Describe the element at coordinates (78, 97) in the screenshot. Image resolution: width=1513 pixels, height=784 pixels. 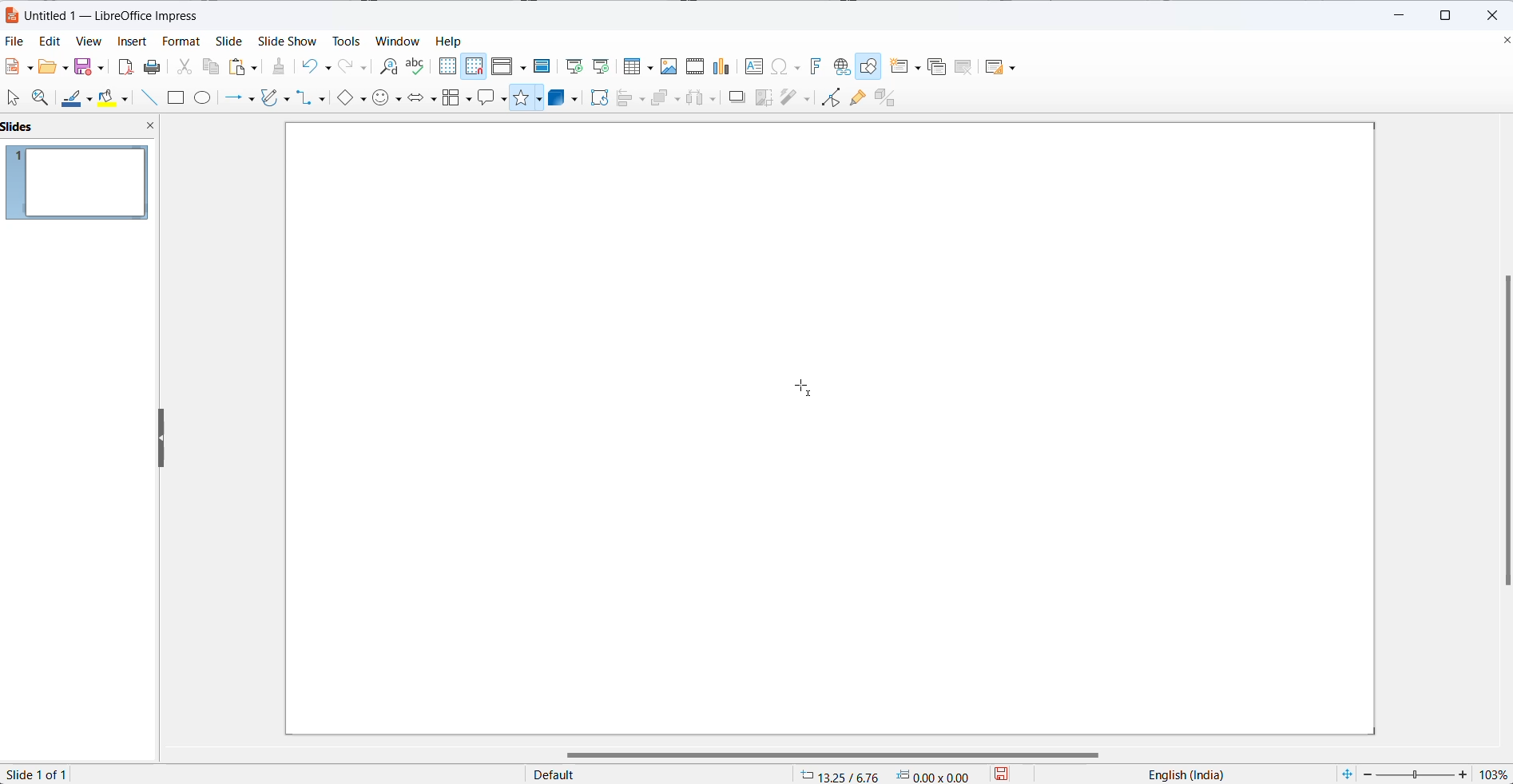
I see `line color` at that location.